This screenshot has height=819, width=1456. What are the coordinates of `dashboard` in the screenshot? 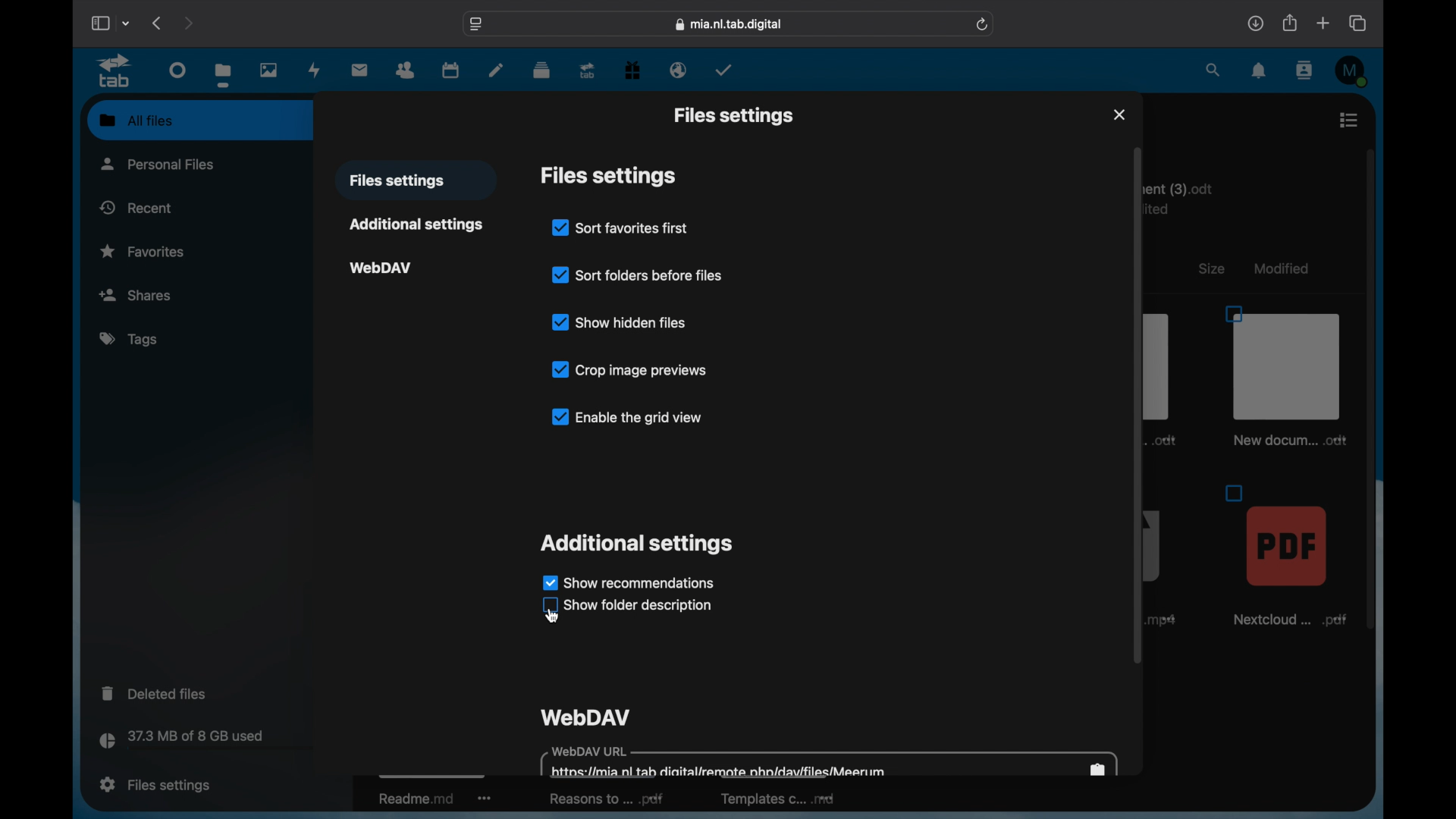 It's located at (178, 69).